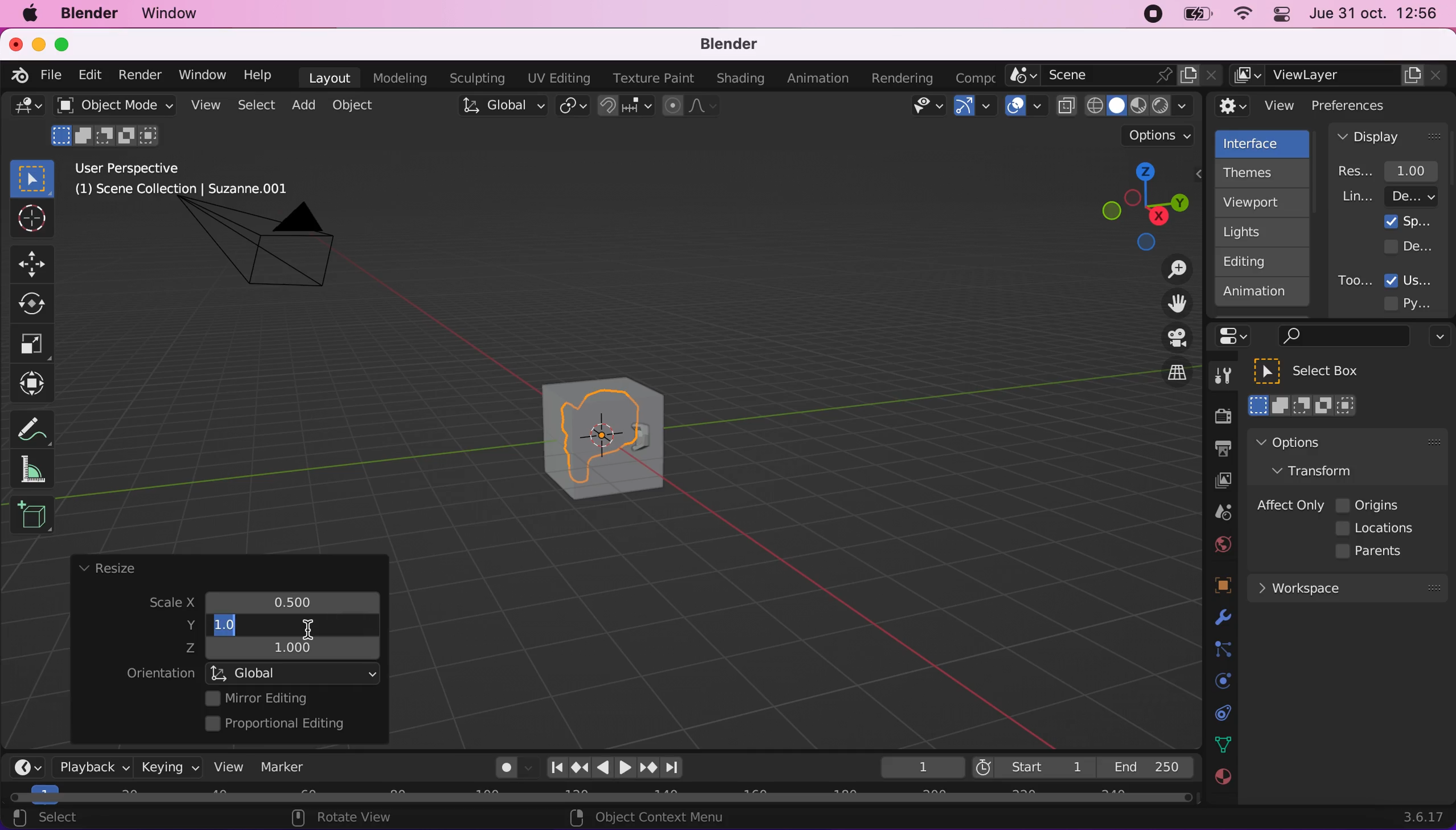 The image size is (1456, 830). Describe the element at coordinates (1239, 17) in the screenshot. I see `wifi` at that location.